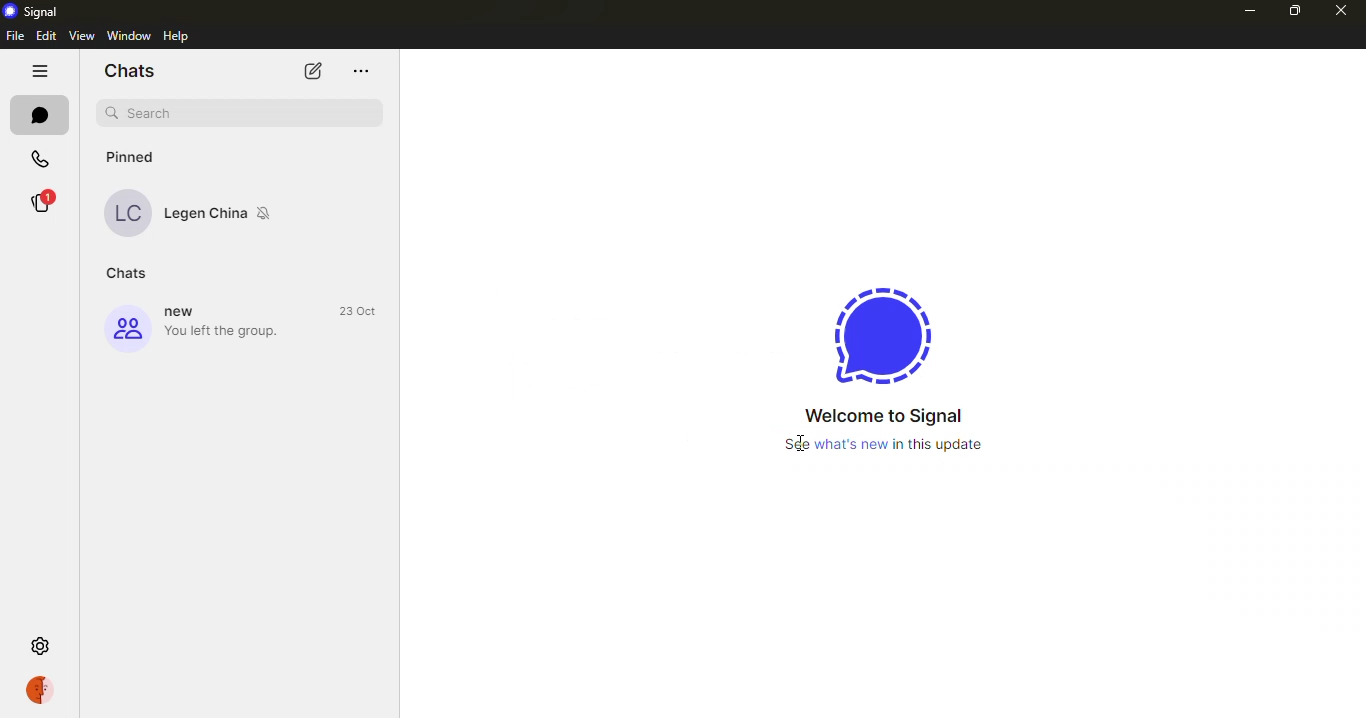  What do you see at coordinates (131, 272) in the screenshot?
I see `chats` at bounding box center [131, 272].